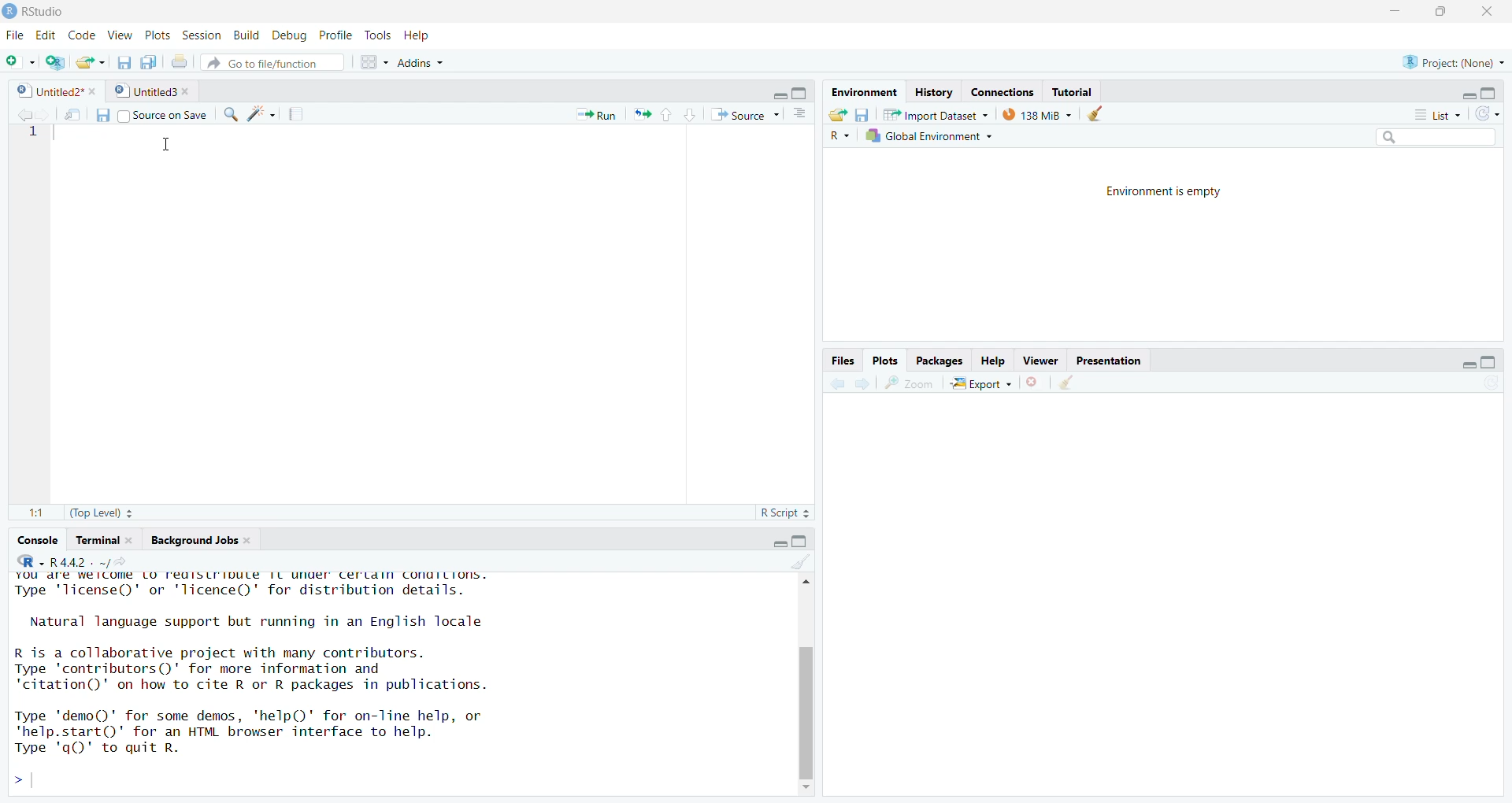 Image resolution: width=1512 pixels, height=803 pixels. What do you see at coordinates (994, 360) in the screenshot?
I see `felp` at bounding box center [994, 360].